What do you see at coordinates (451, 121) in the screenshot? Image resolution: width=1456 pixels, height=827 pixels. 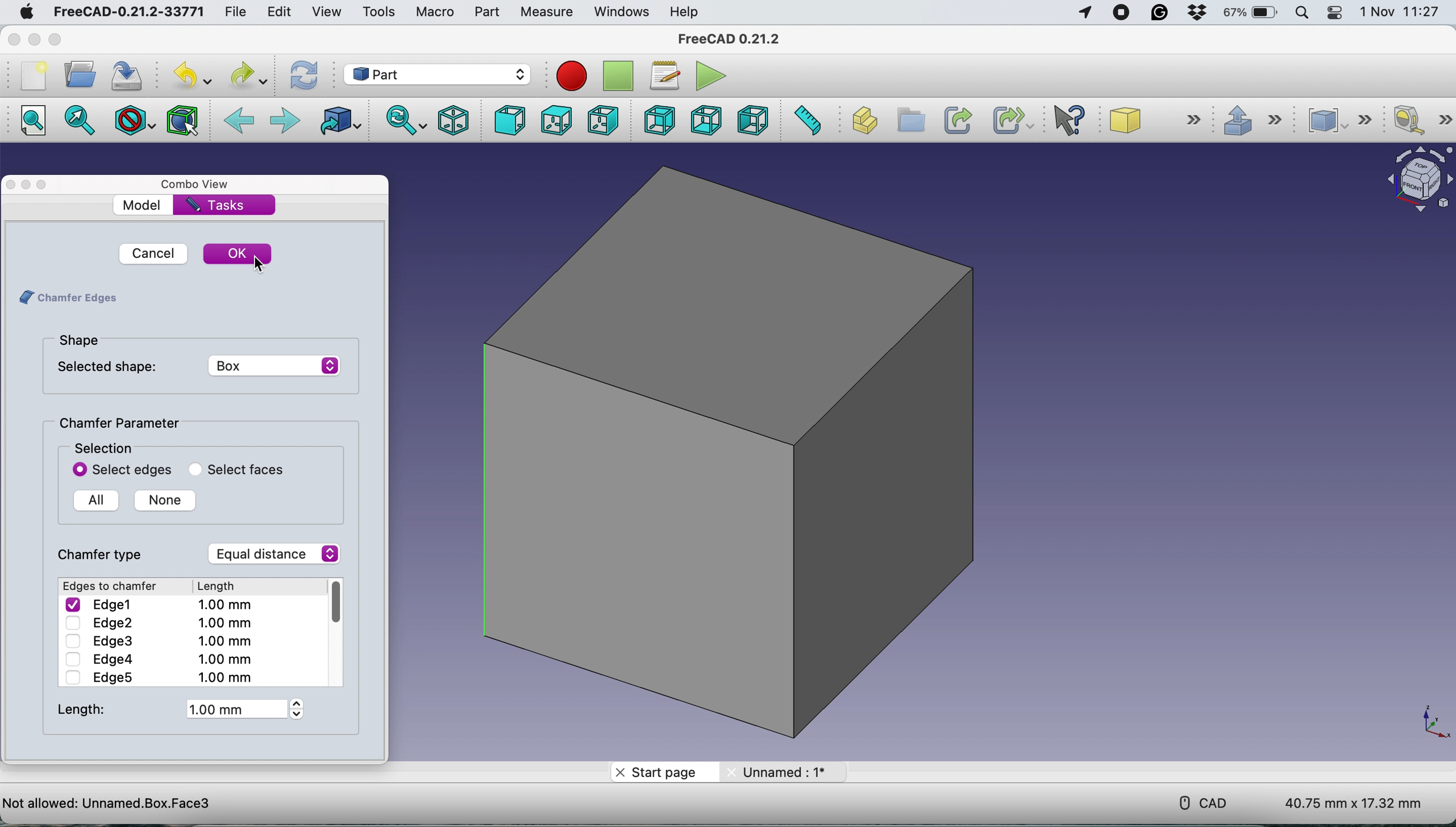 I see `isometric` at bounding box center [451, 121].